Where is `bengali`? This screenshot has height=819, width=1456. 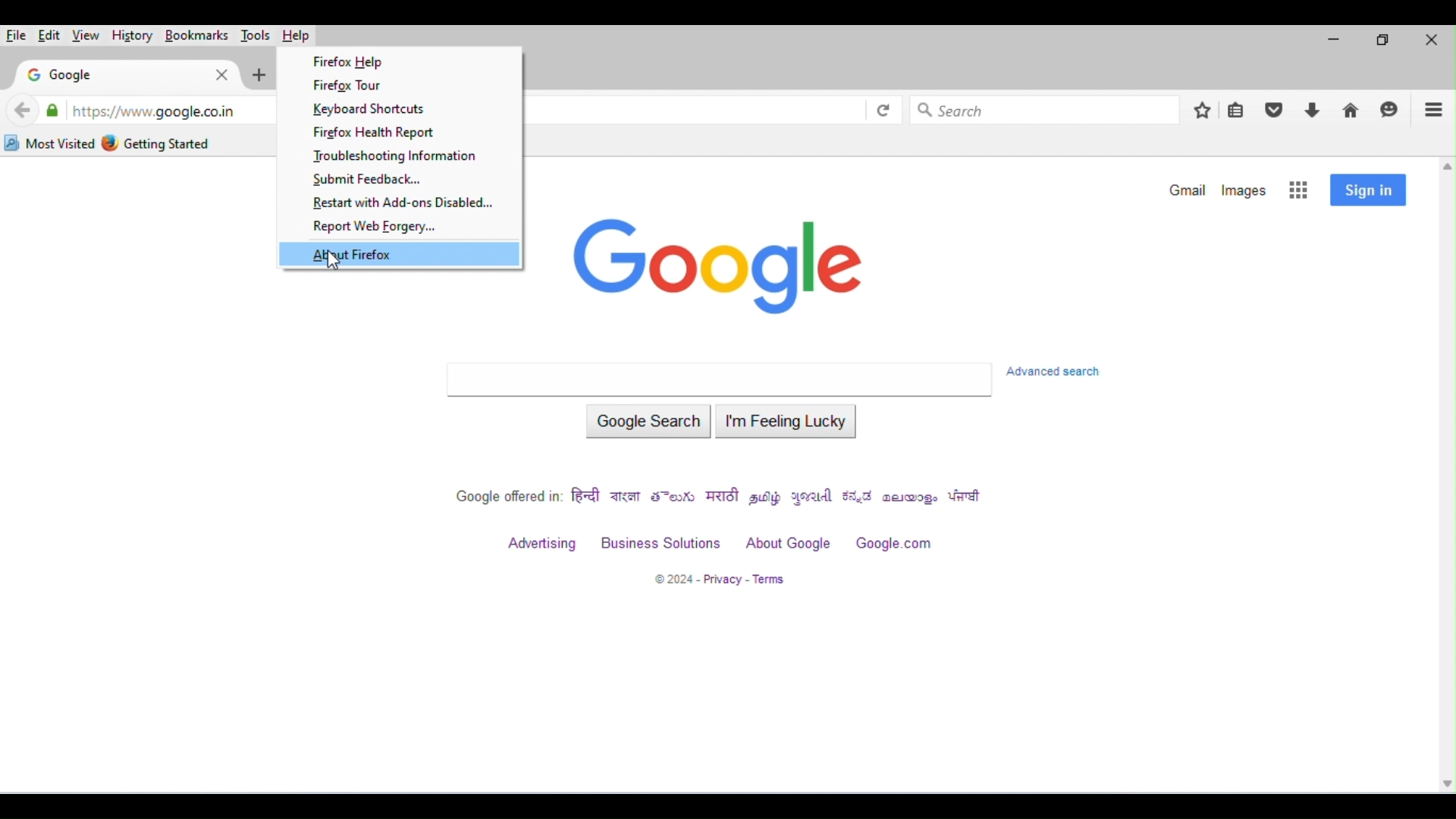
bengali is located at coordinates (626, 497).